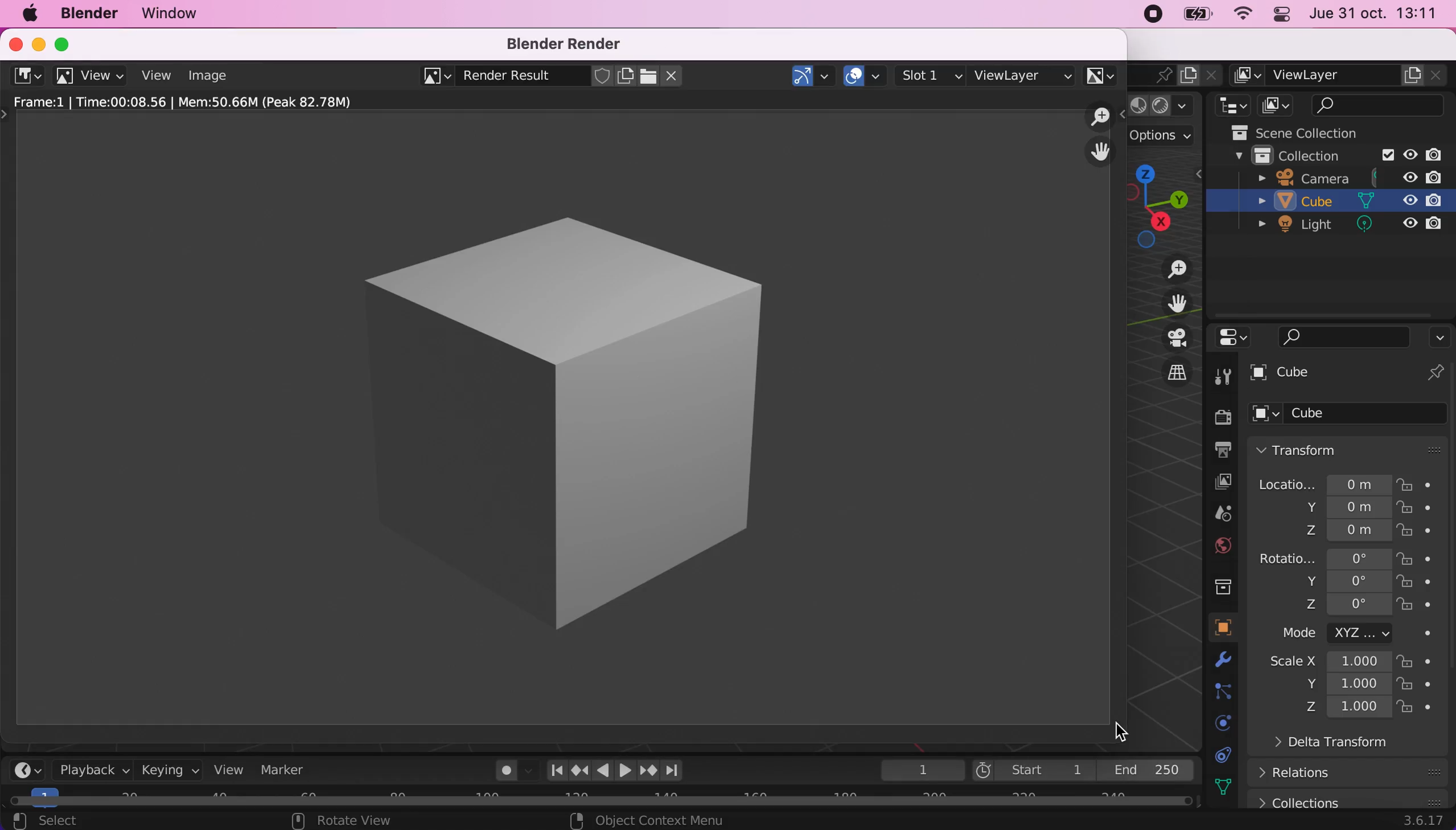 The height and width of the screenshot is (830, 1456). I want to click on tool, so click(1223, 377).